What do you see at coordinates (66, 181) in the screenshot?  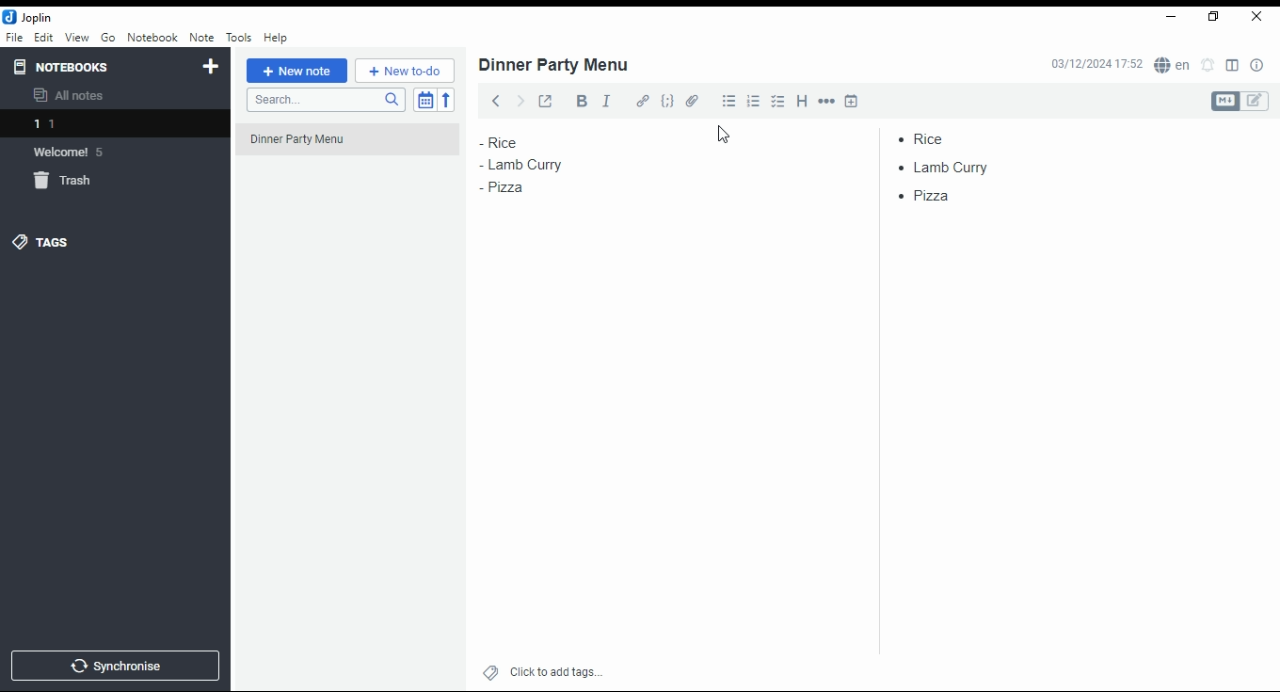 I see `trash` at bounding box center [66, 181].